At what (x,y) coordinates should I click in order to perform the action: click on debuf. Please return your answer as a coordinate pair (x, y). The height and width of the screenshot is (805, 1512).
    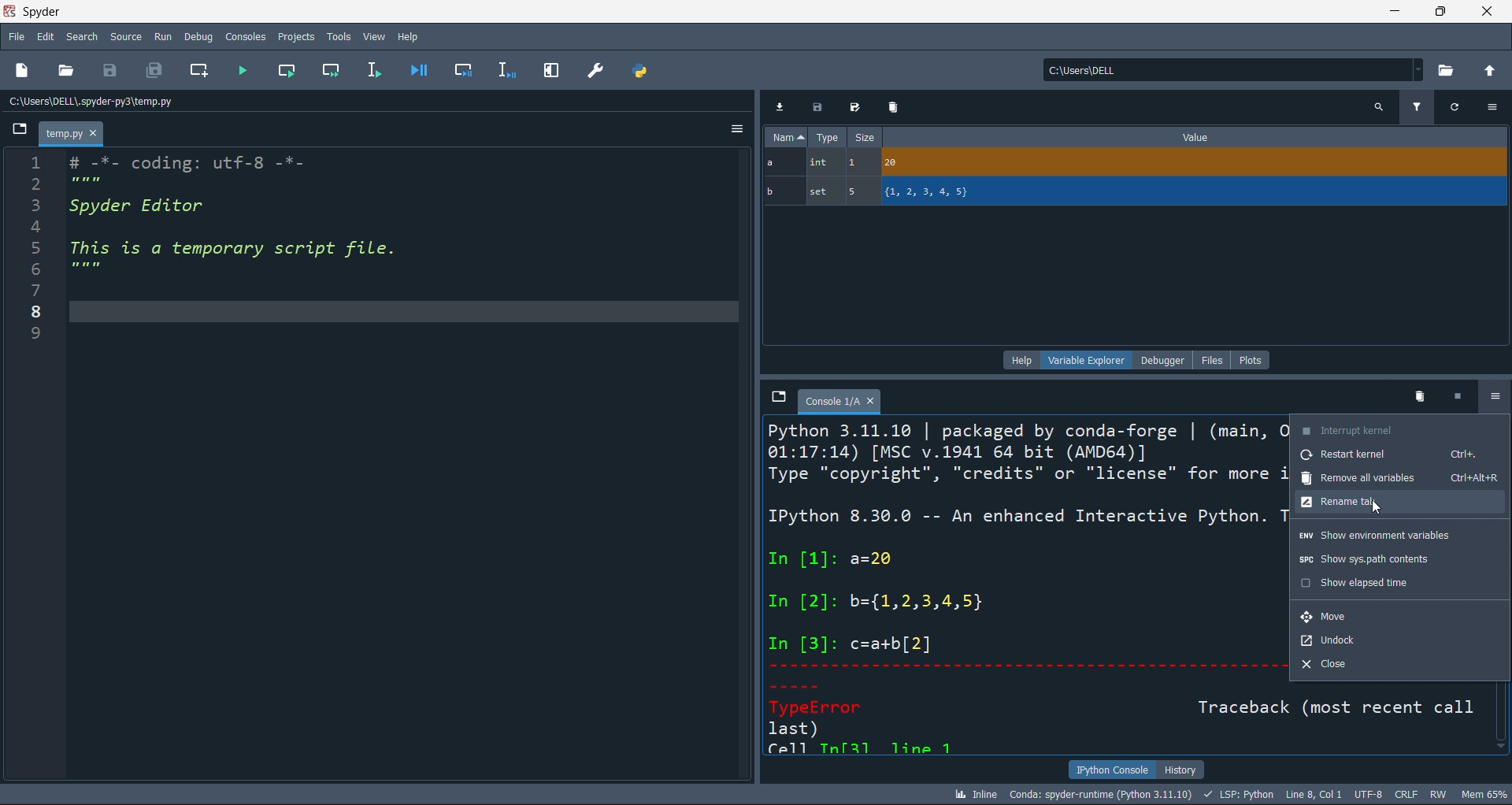
    Looking at the image, I should click on (198, 35).